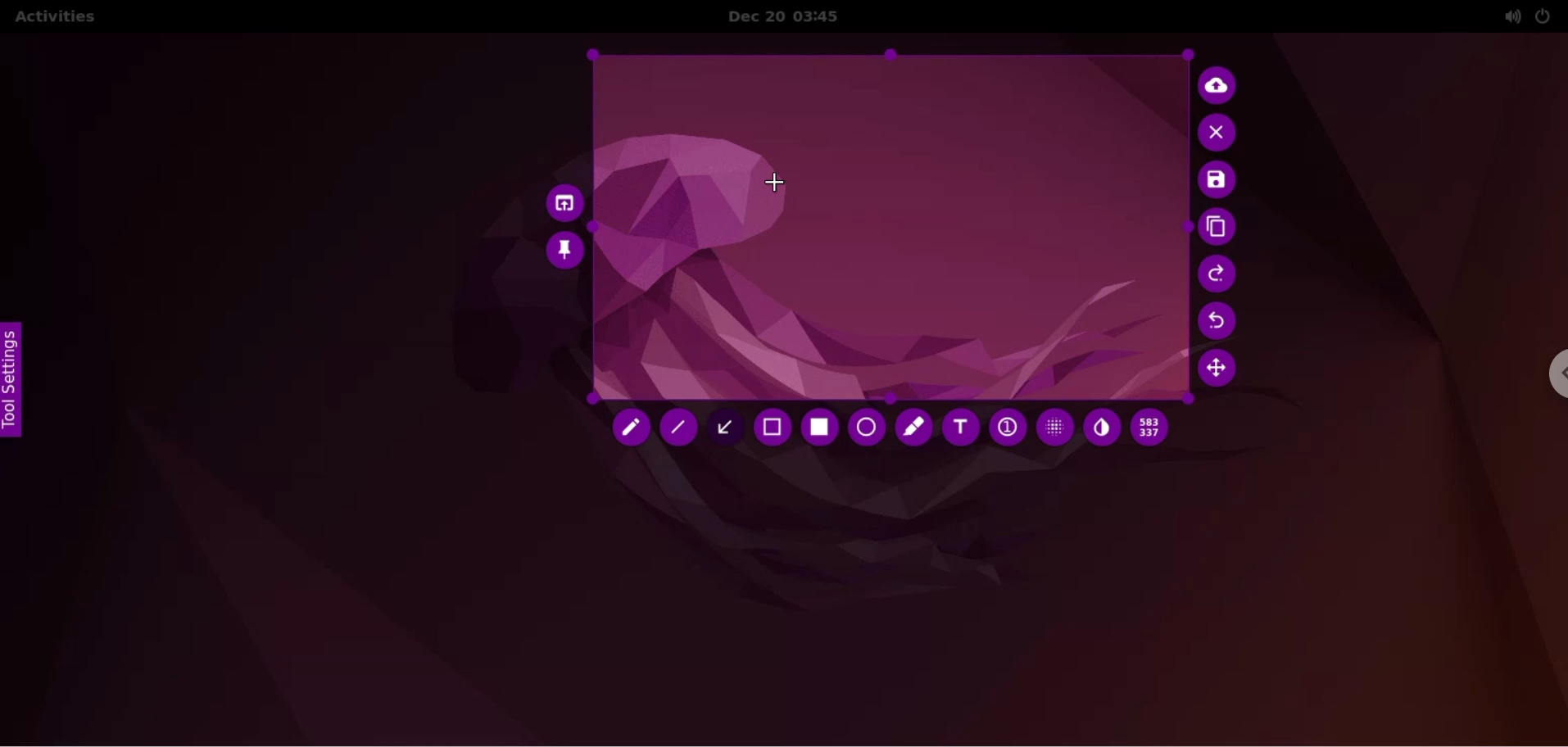 Image resolution: width=1568 pixels, height=747 pixels. What do you see at coordinates (1220, 229) in the screenshot?
I see `copy to clipboard` at bounding box center [1220, 229].